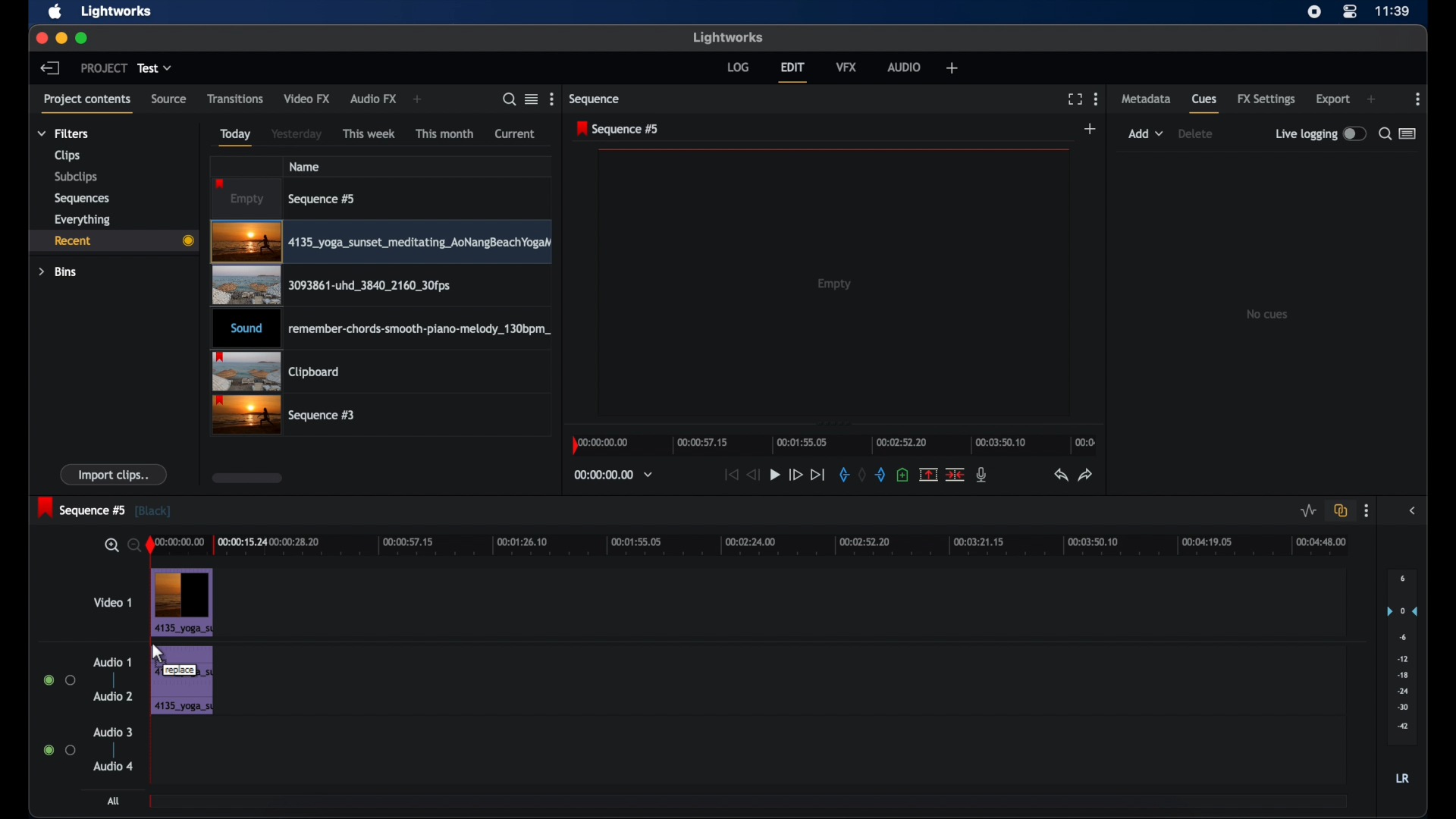  What do you see at coordinates (82, 38) in the screenshot?
I see `maximize` at bounding box center [82, 38].